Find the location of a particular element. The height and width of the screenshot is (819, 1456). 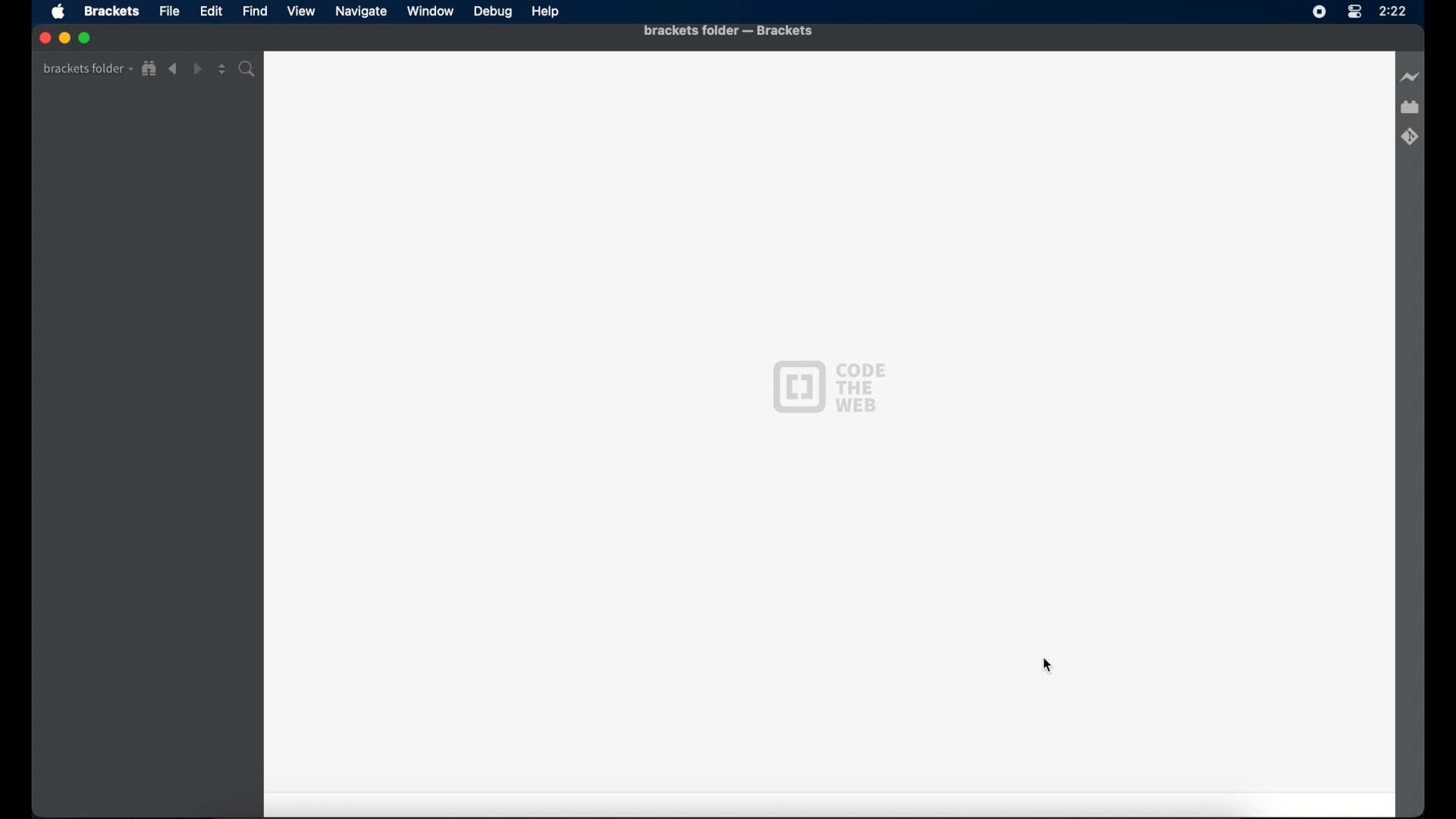

minimize is located at coordinates (64, 37).